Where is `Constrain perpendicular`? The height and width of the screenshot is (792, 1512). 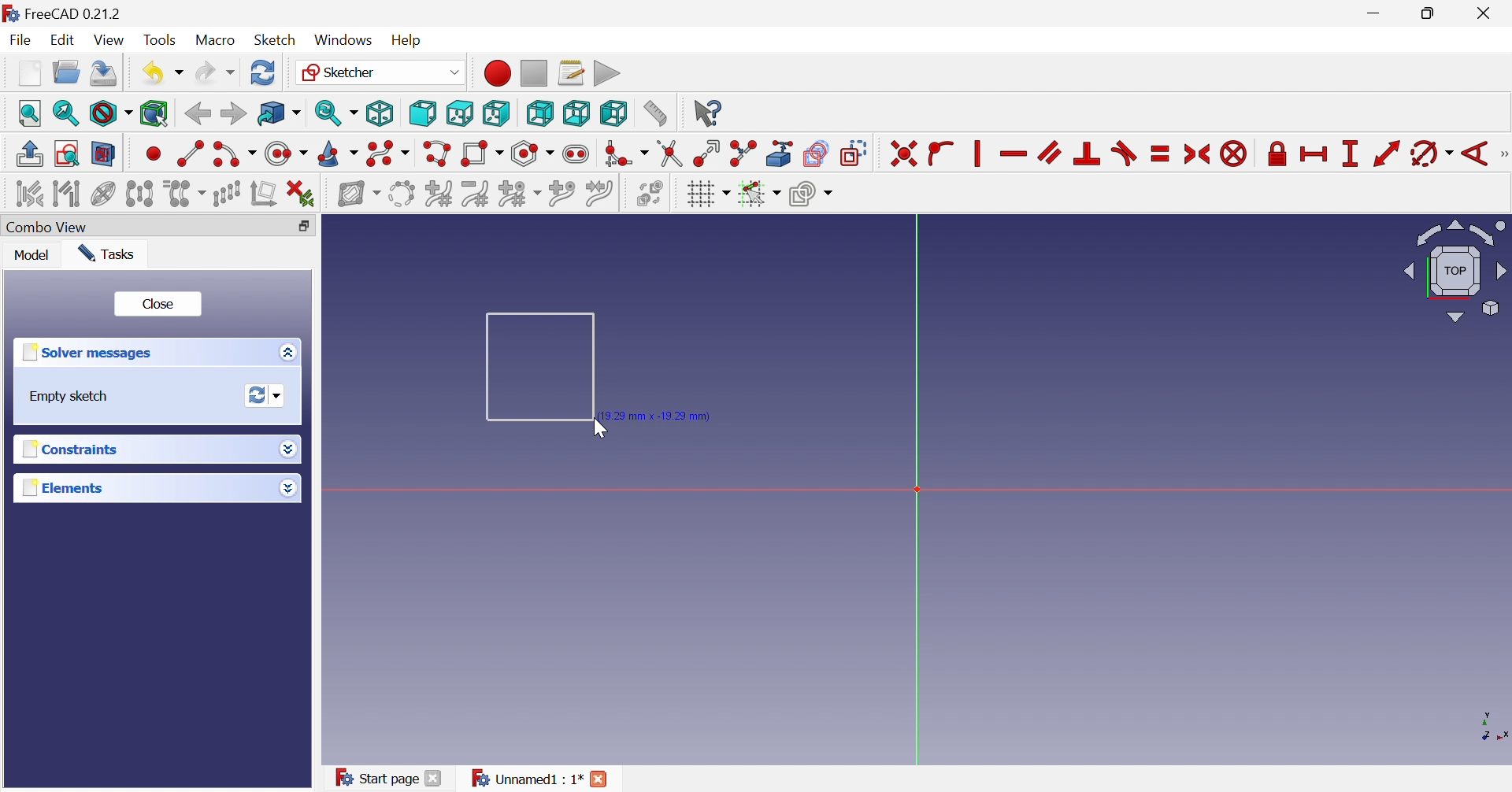
Constrain perpendicular is located at coordinates (1088, 153).